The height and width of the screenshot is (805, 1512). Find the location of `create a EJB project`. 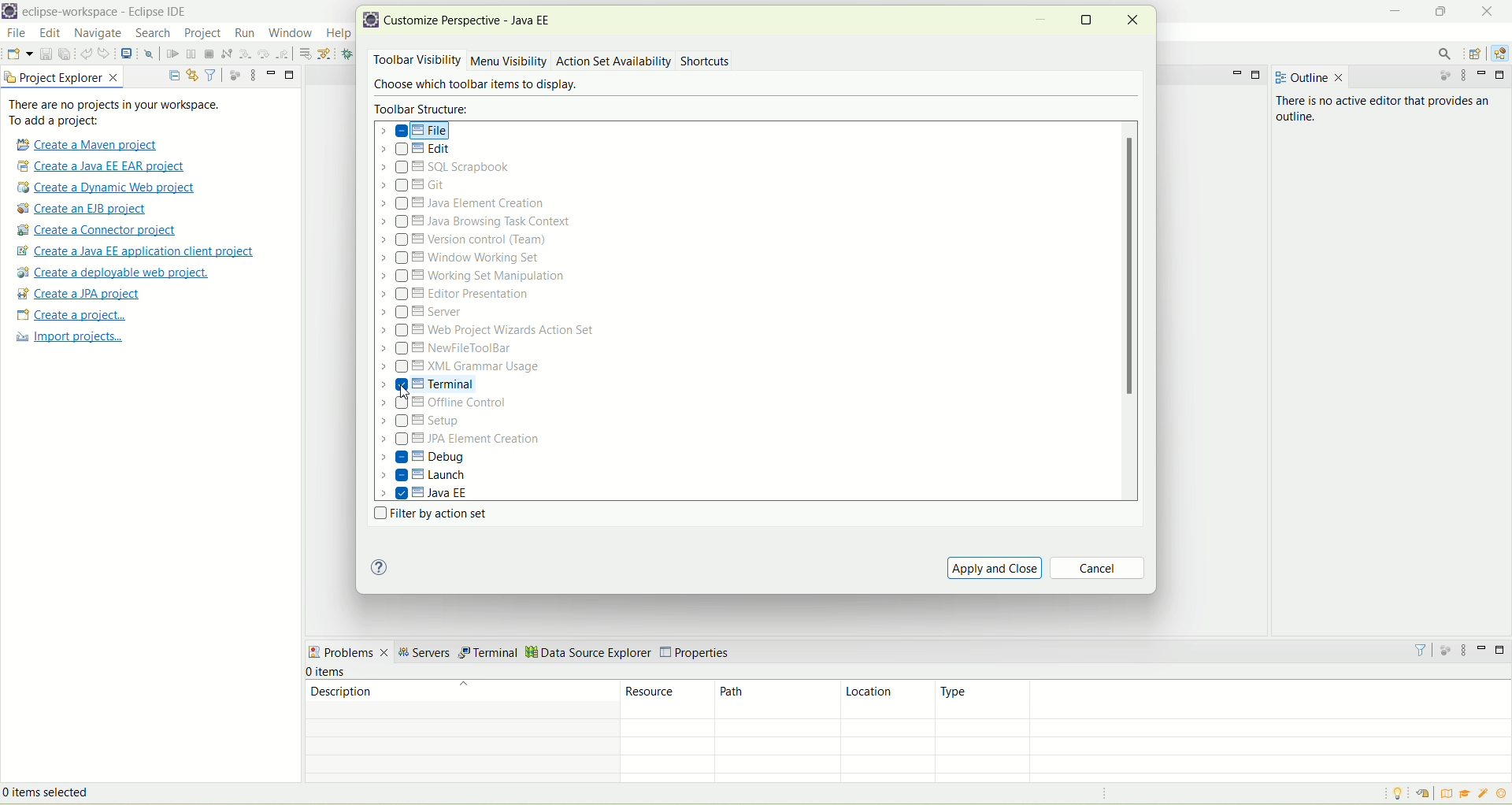

create a EJB project is located at coordinates (86, 210).